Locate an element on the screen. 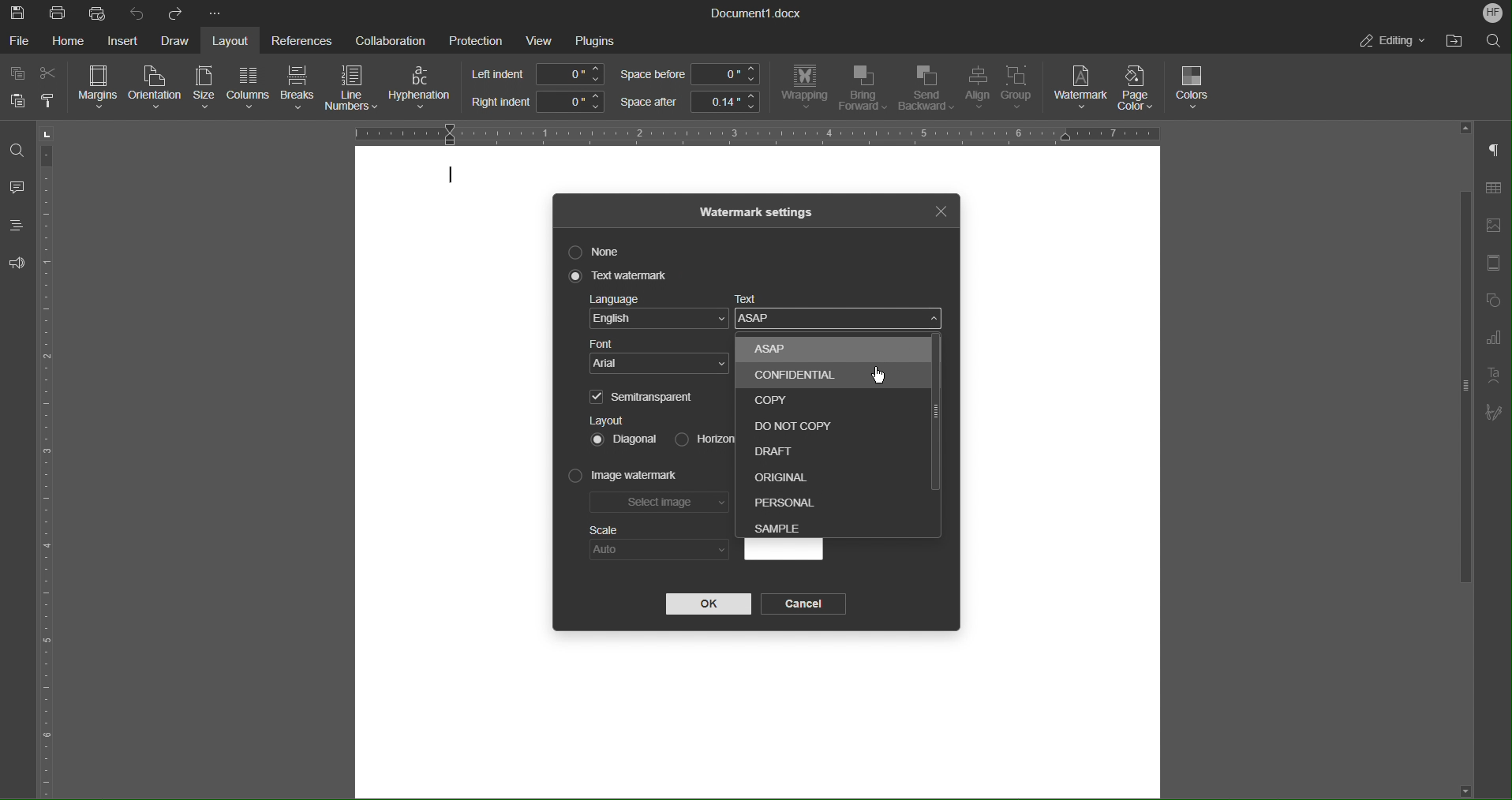 The height and width of the screenshot is (800, 1512). Quick Print is located at coordinates (99, 13).